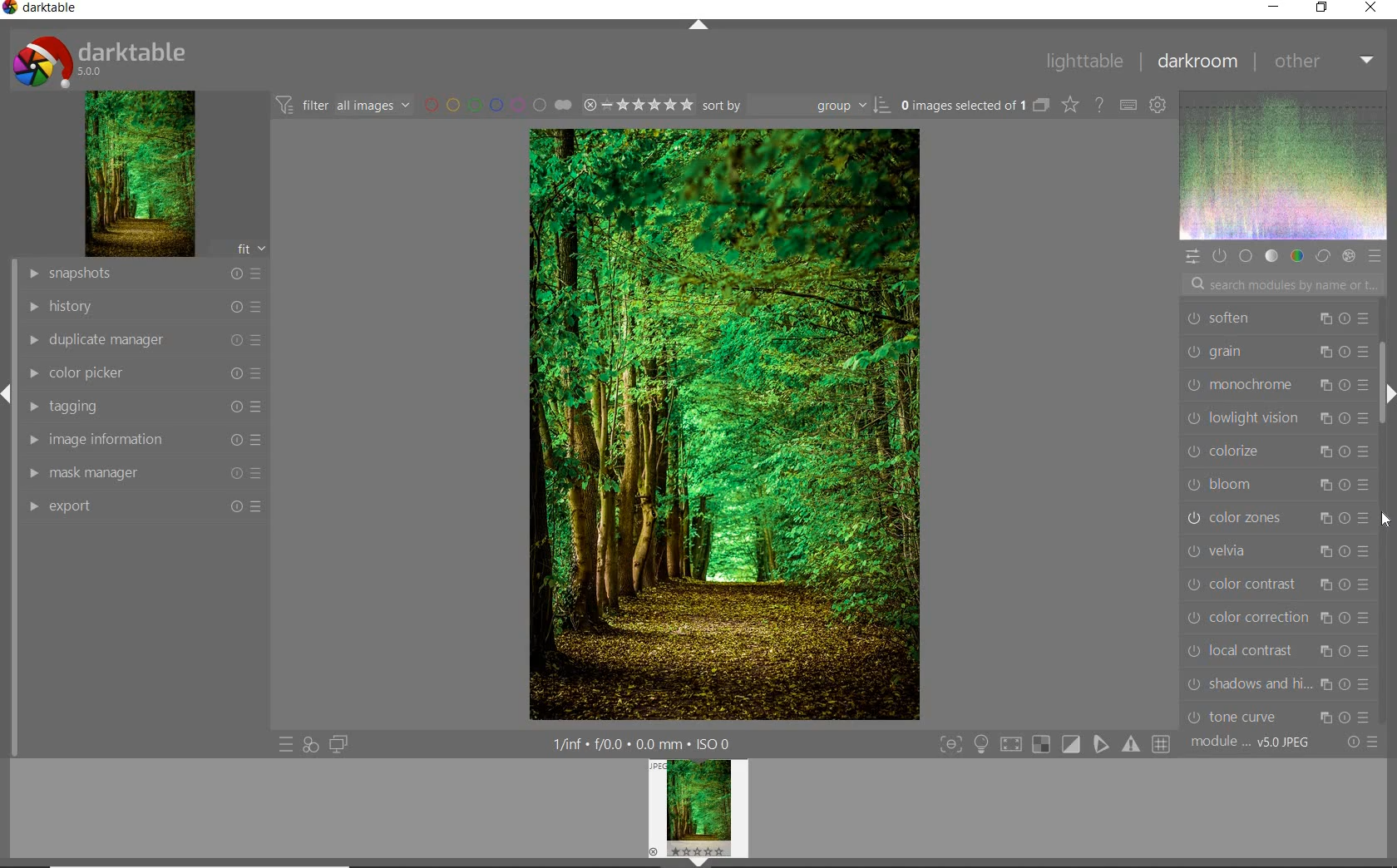 Image resolution: width=1397 pixels, height=868 pixels. What do you see at coordinates (1129, 104) in the screenshot?
I see `DEFINE KEYBOARD SHOTCUT` at bounding box center [1129, 104].